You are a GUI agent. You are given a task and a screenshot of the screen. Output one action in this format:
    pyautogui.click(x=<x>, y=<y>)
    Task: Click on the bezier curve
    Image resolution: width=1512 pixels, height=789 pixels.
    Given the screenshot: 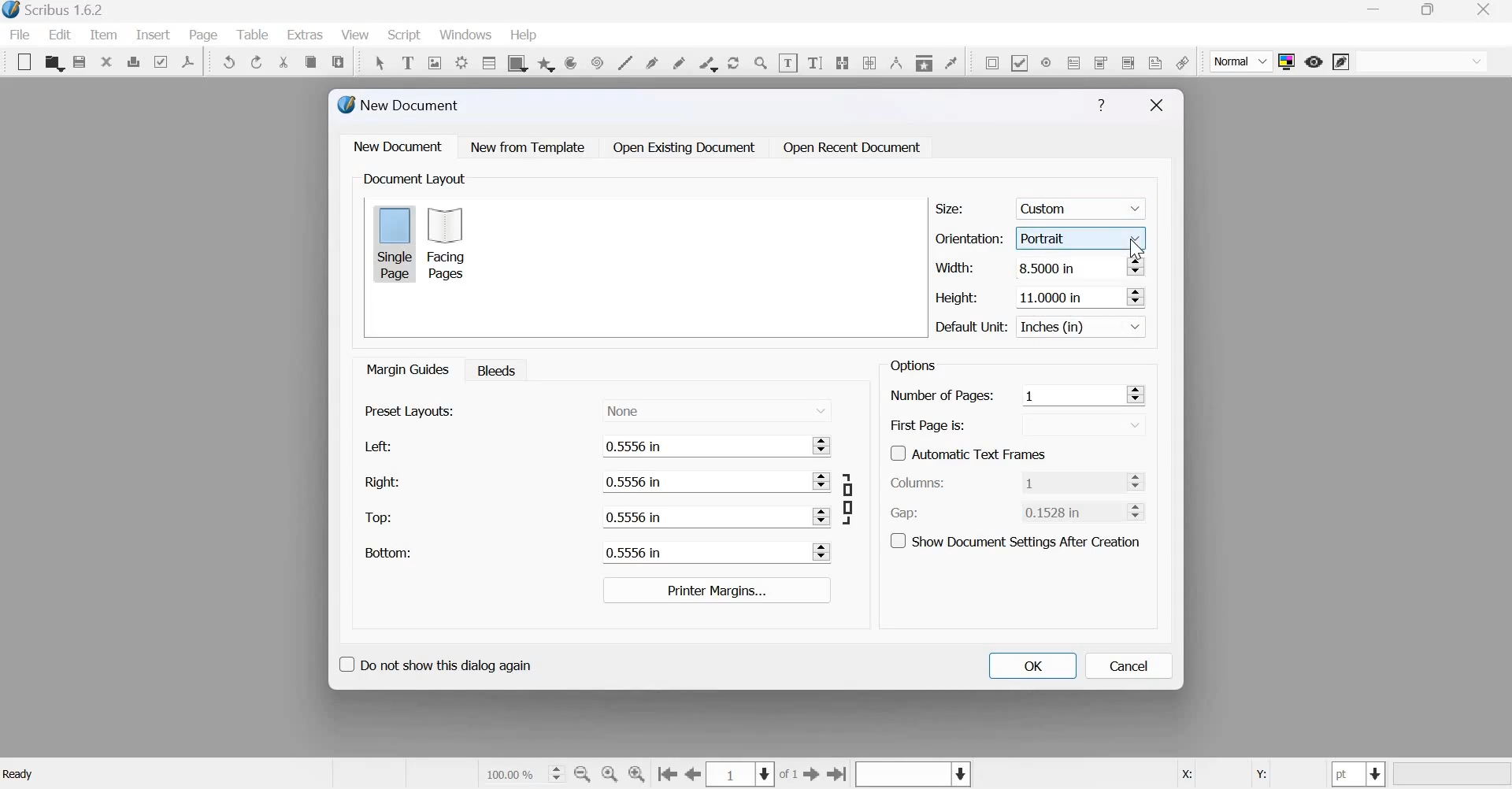 What is the action you would take?
    pyautogui.click(x=654, y=61)
    